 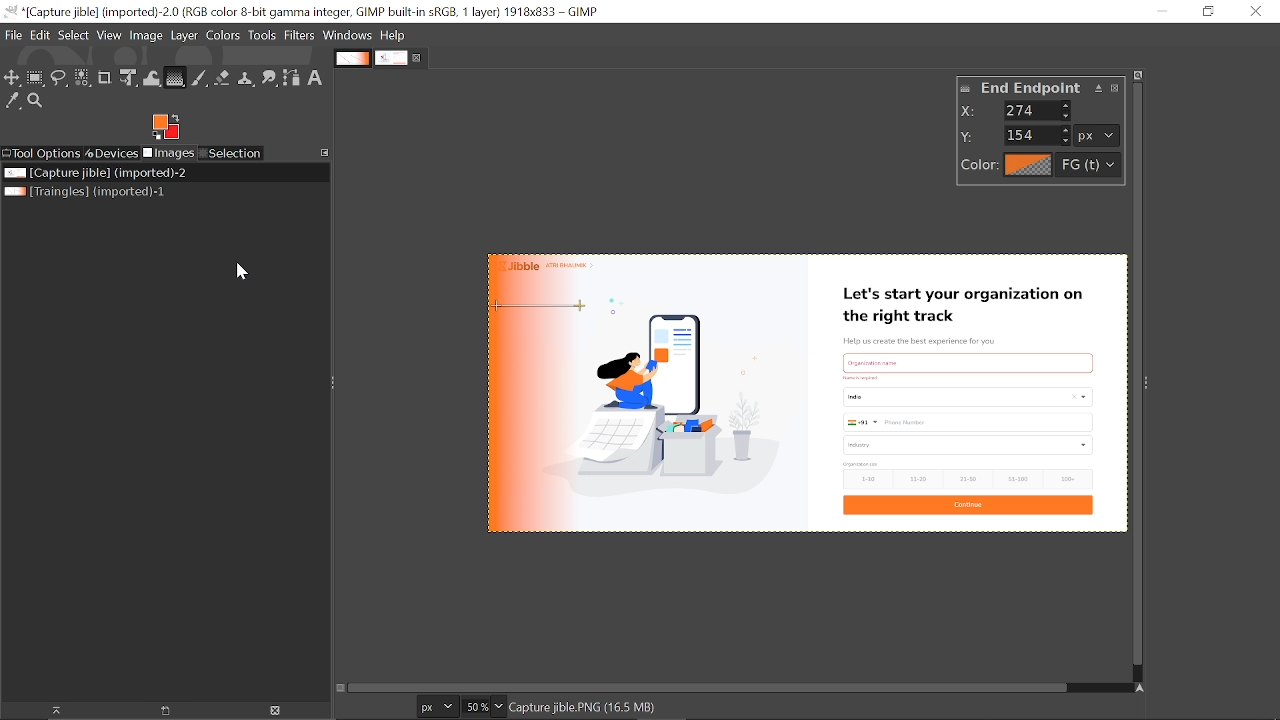 I want to click on Edit, so click(x=39, y=35).